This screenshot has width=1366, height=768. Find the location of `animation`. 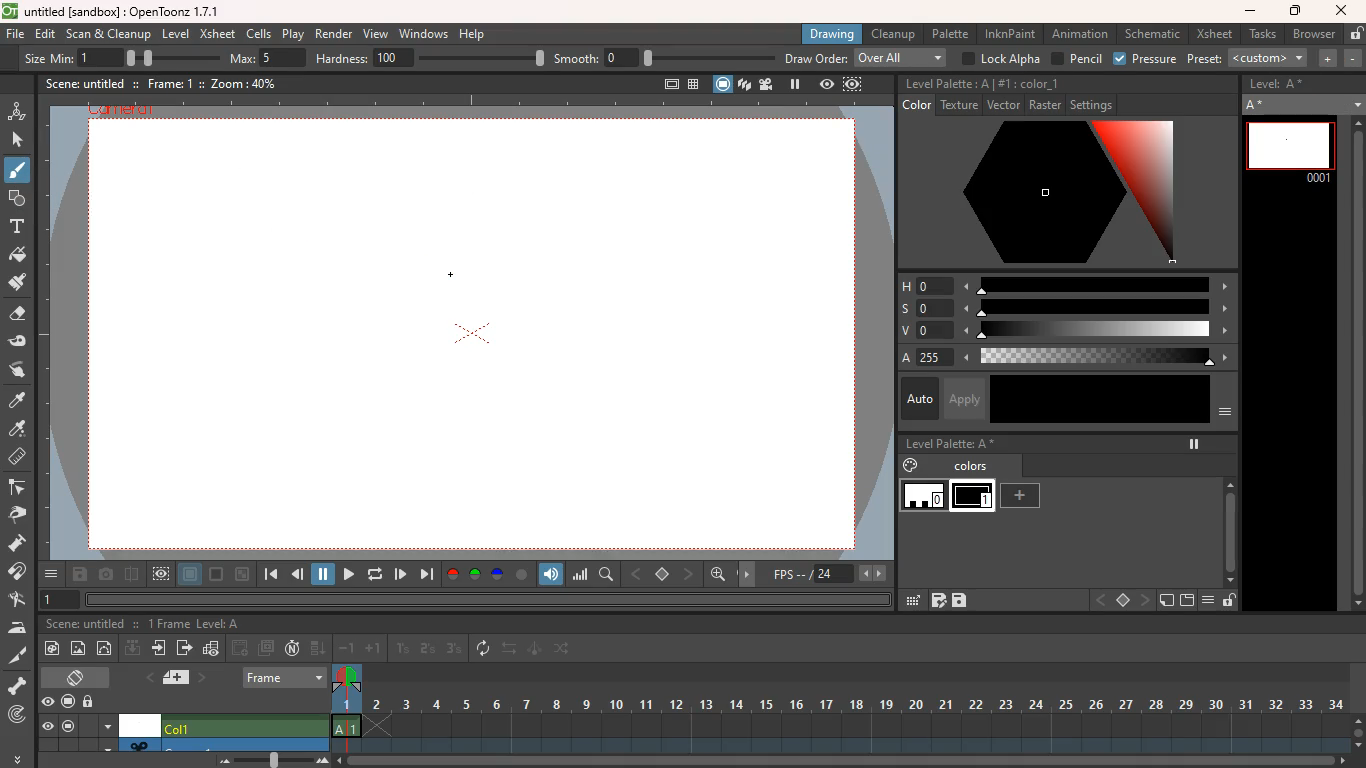

animation is located at coordinates (18, 109).